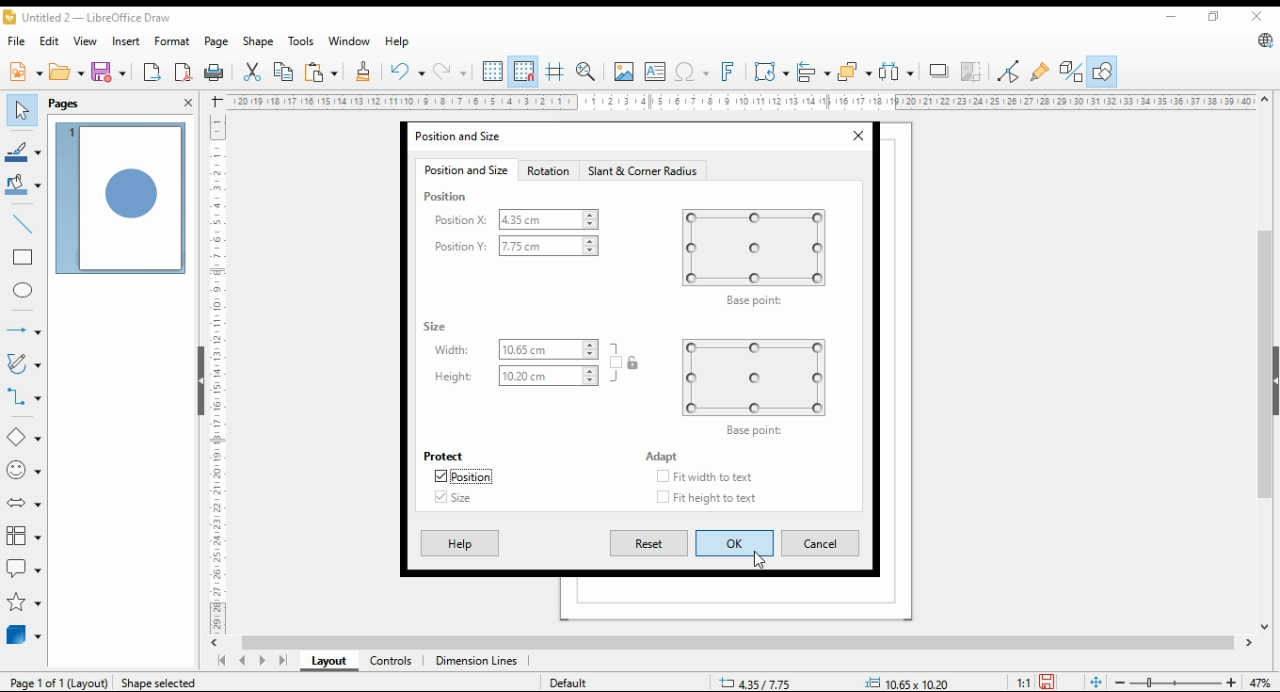 Image resolution: width=1280 pixels, height=692 pixels. I want to click on position, so click(448, 198).